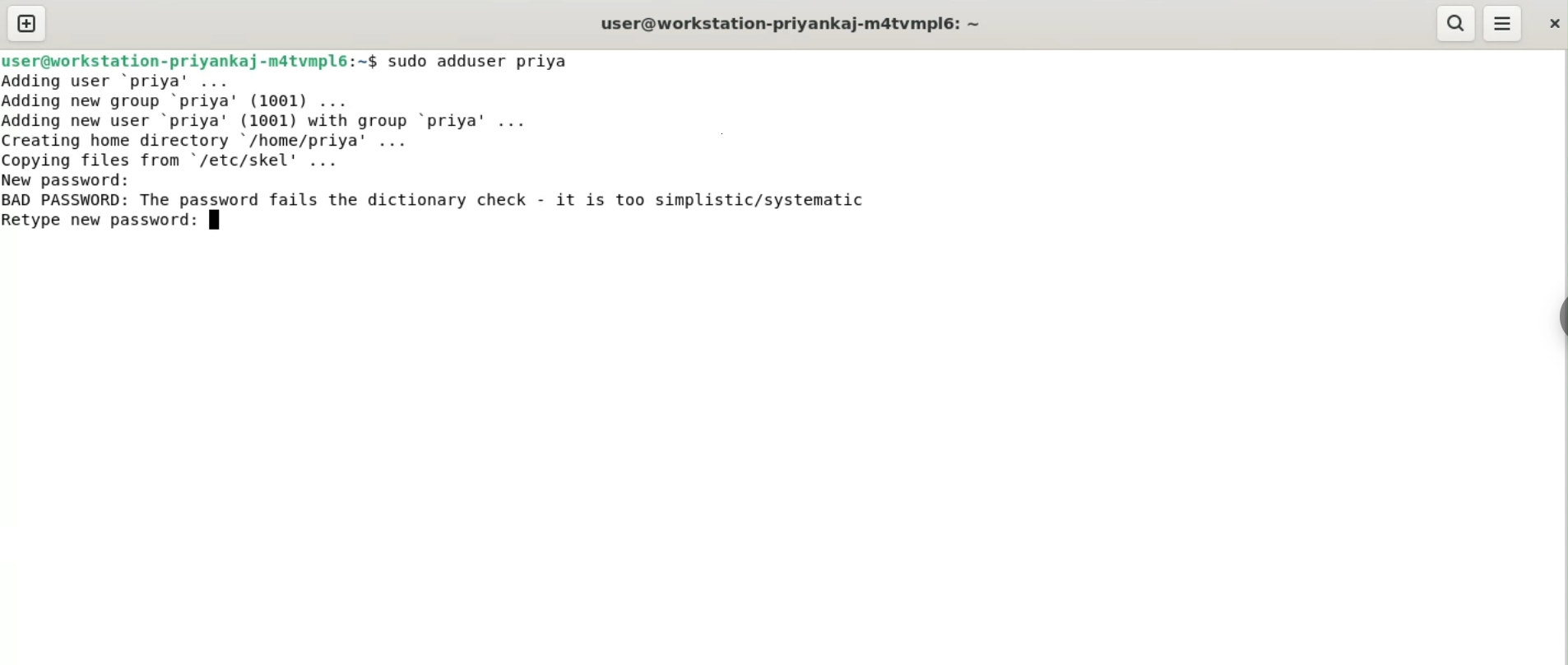  Describe the element at coordinates (1454, 23) in the screenshot. I see `search` at that location.